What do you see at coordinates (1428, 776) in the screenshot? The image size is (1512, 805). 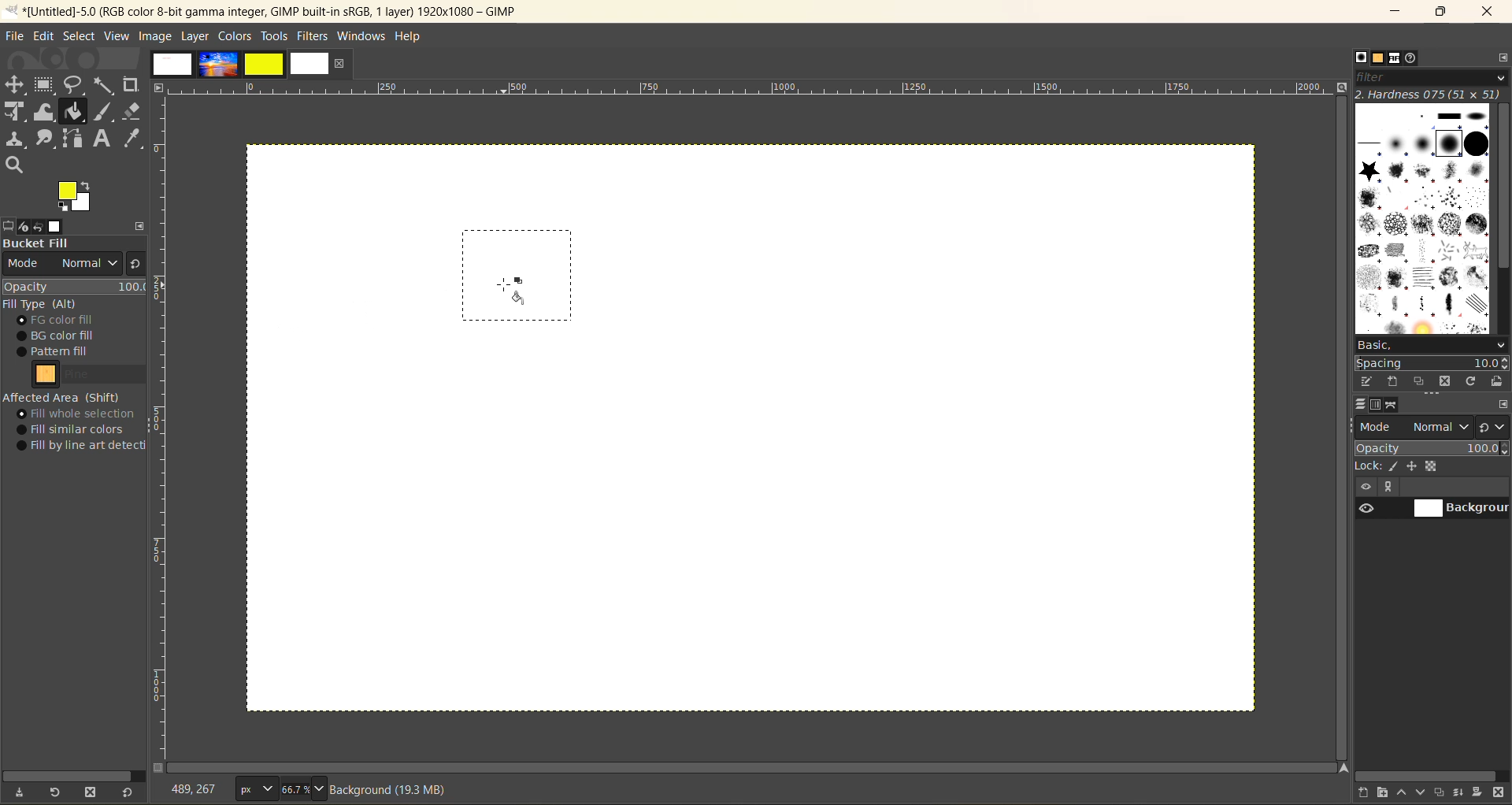 I see `horizontal scroll bar` at bounding box center [1428, 776].